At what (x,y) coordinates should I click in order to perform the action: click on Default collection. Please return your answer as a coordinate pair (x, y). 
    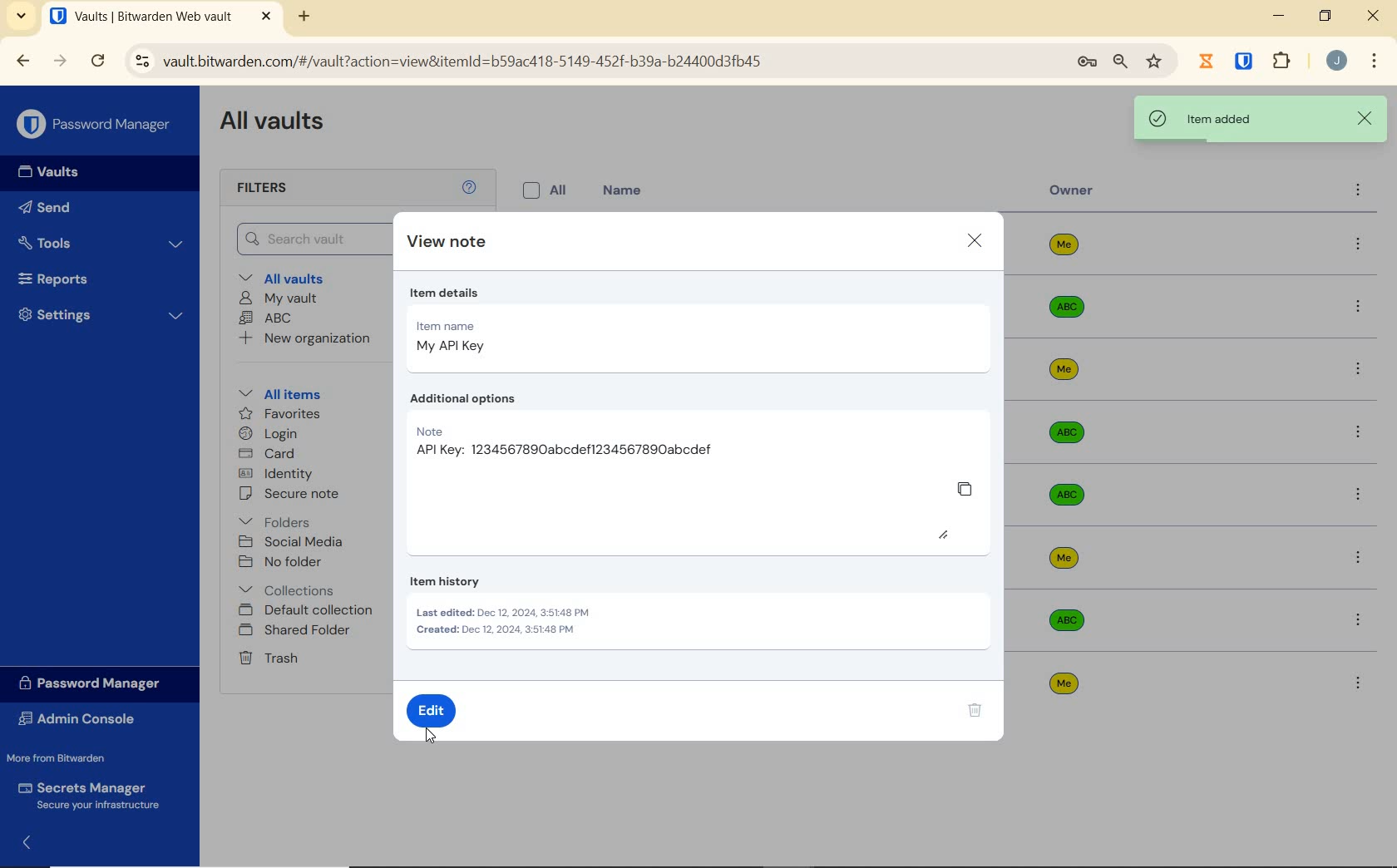
    Looking at the image, I should click on (307, 610).